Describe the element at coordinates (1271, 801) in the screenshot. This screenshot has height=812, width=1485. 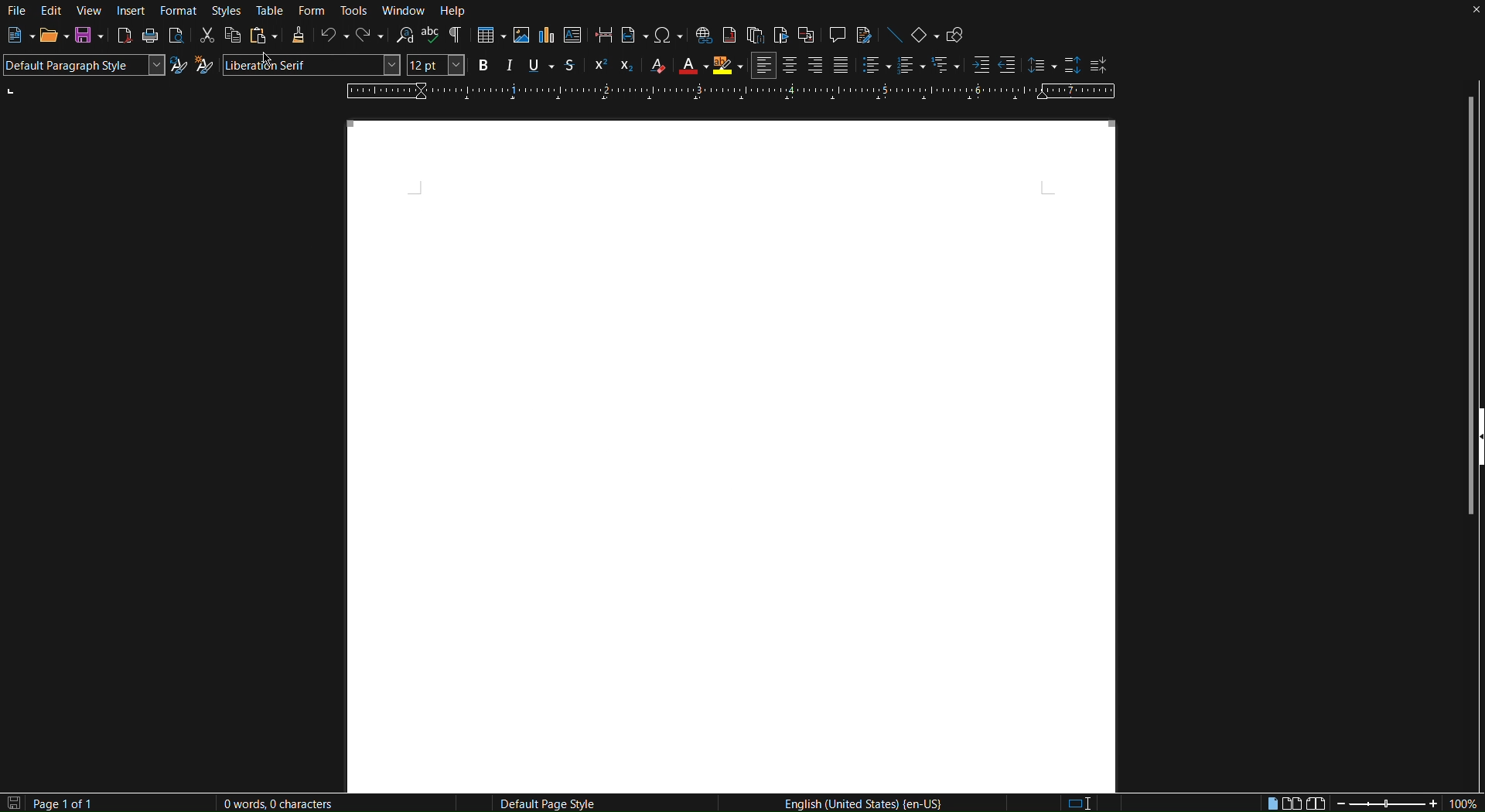
I see `Single page view` at that location.